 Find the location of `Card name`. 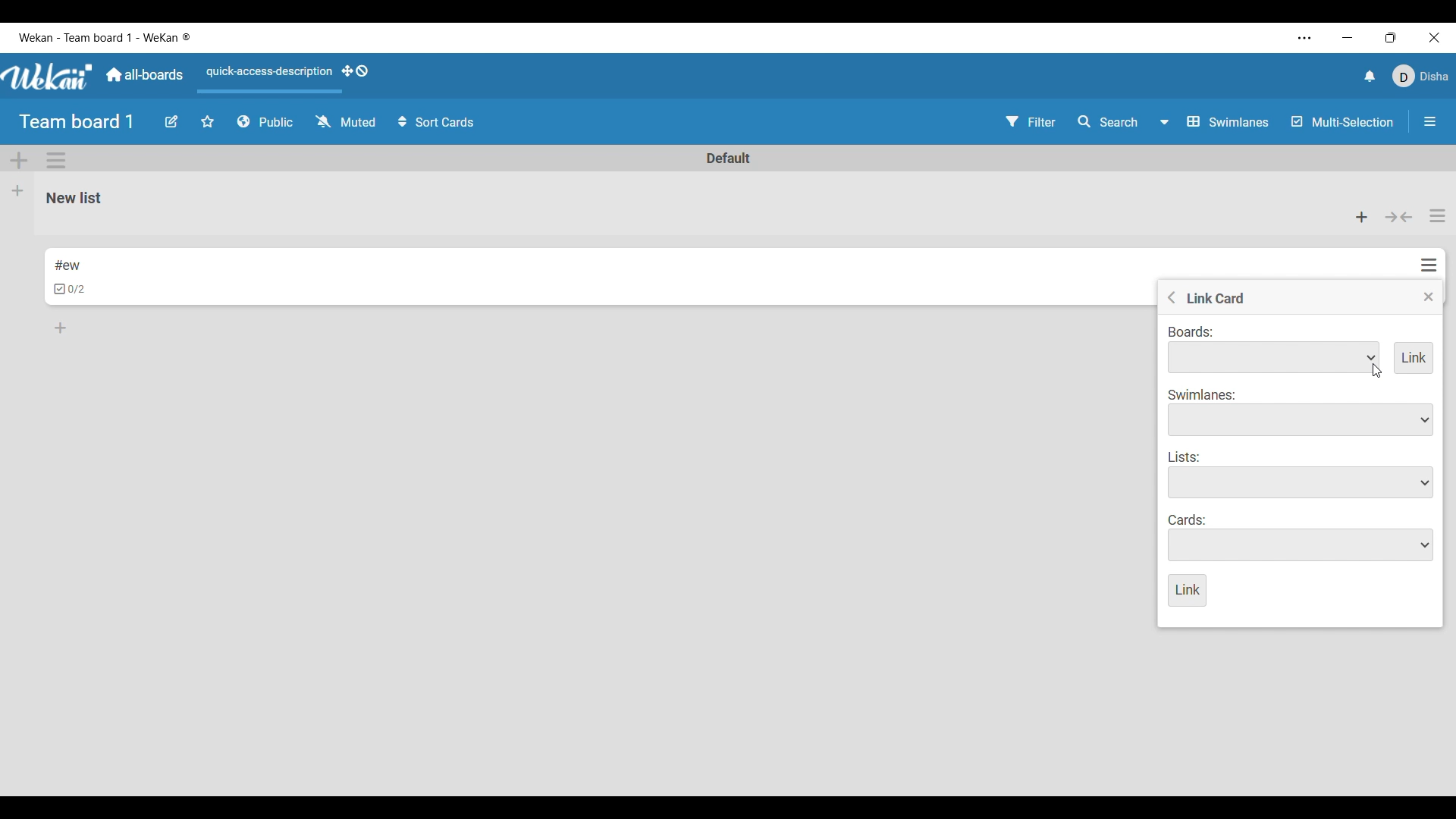

Card name is located at coordinates (67, 265).